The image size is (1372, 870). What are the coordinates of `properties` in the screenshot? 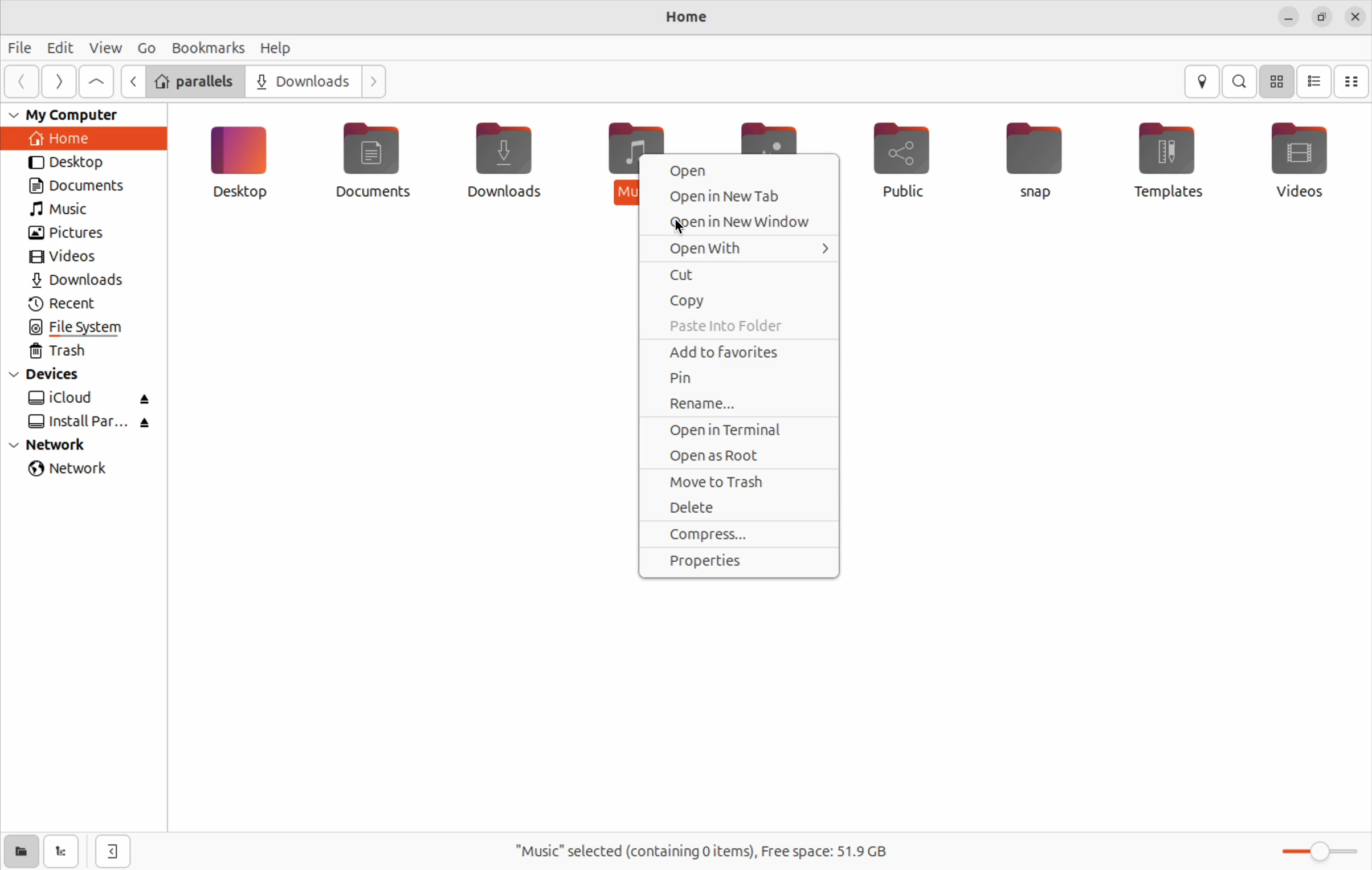 It's located at (736, 562).